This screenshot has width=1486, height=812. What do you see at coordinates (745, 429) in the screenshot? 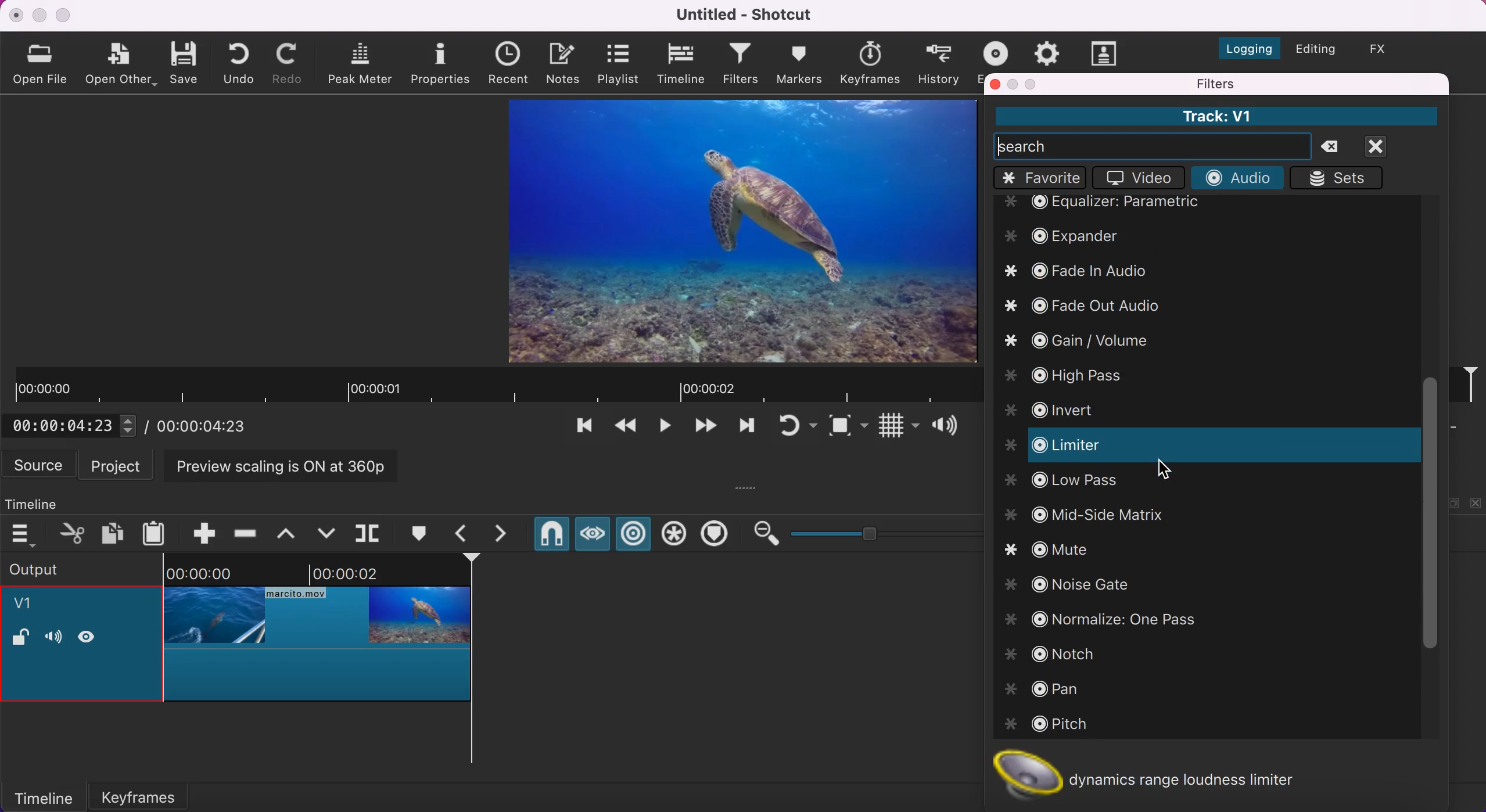
I see `play quickly forwards` at bounding box center [745, 429].